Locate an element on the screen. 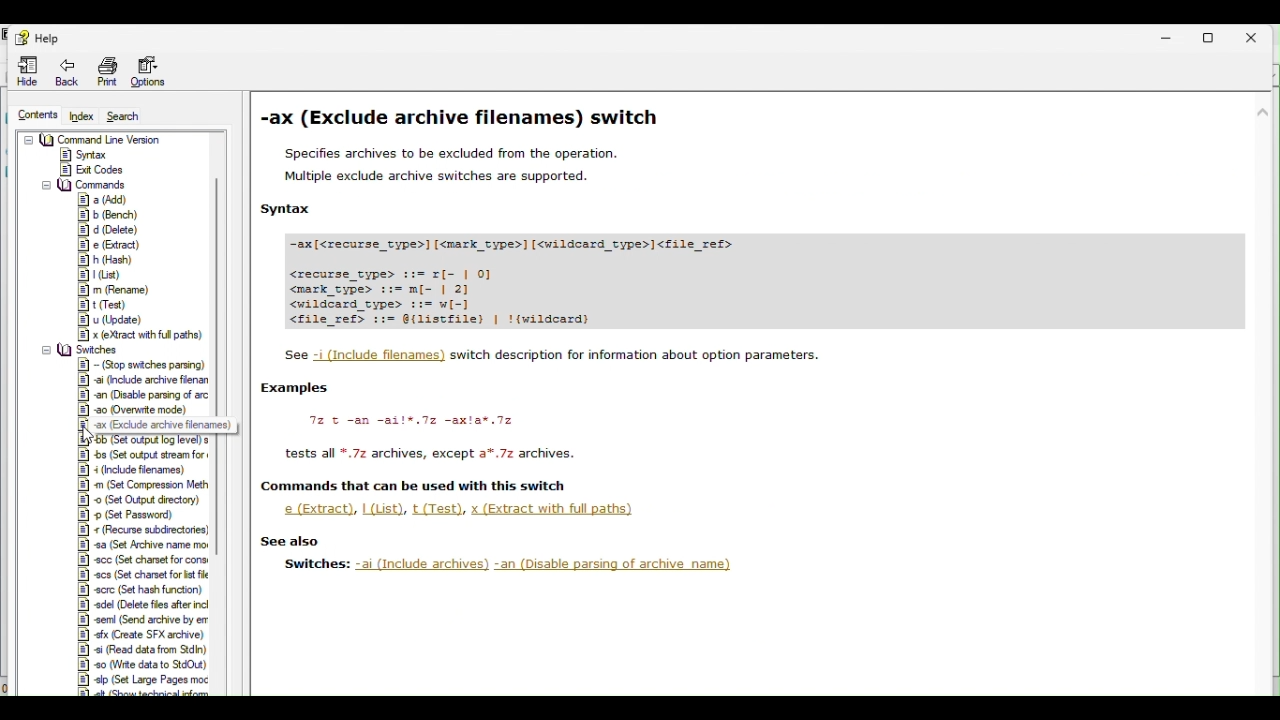 This screenshot has width=1280, height=720. e (Extract), is located at coordinates (315, 509).